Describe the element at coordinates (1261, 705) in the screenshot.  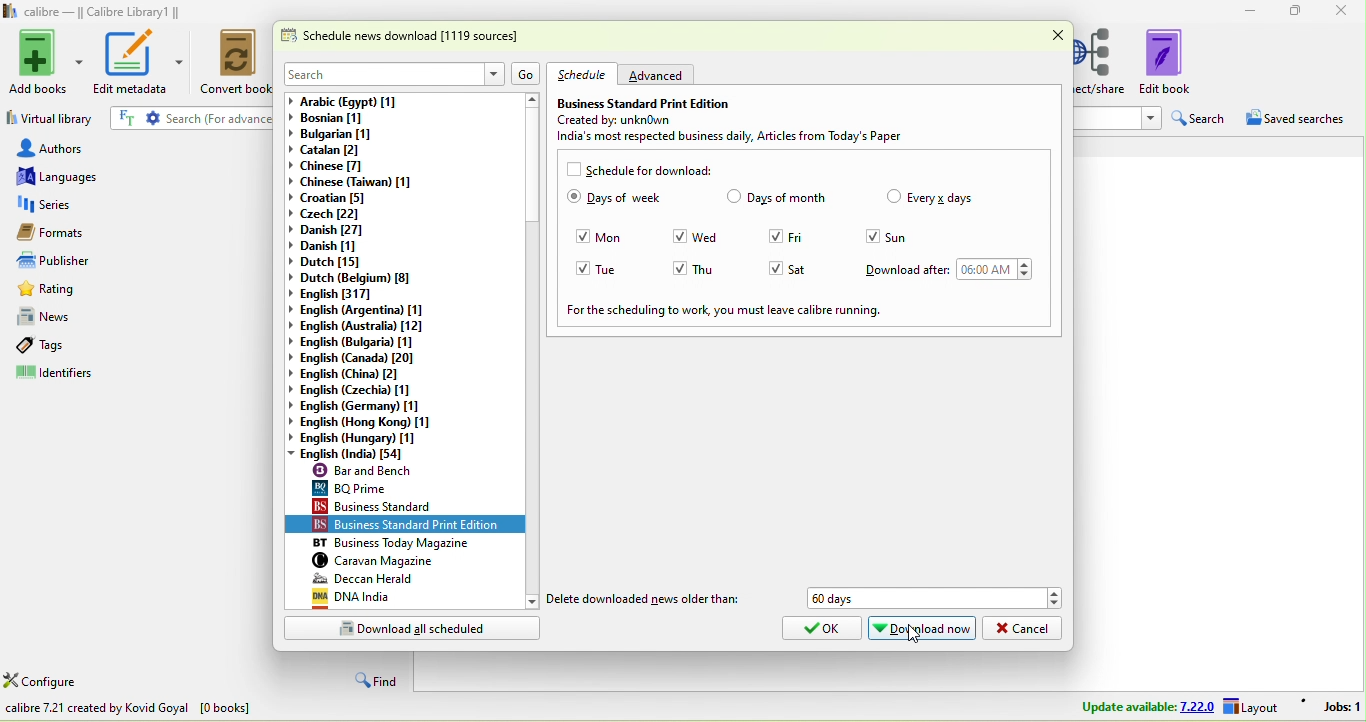
I see `layout` at that location.